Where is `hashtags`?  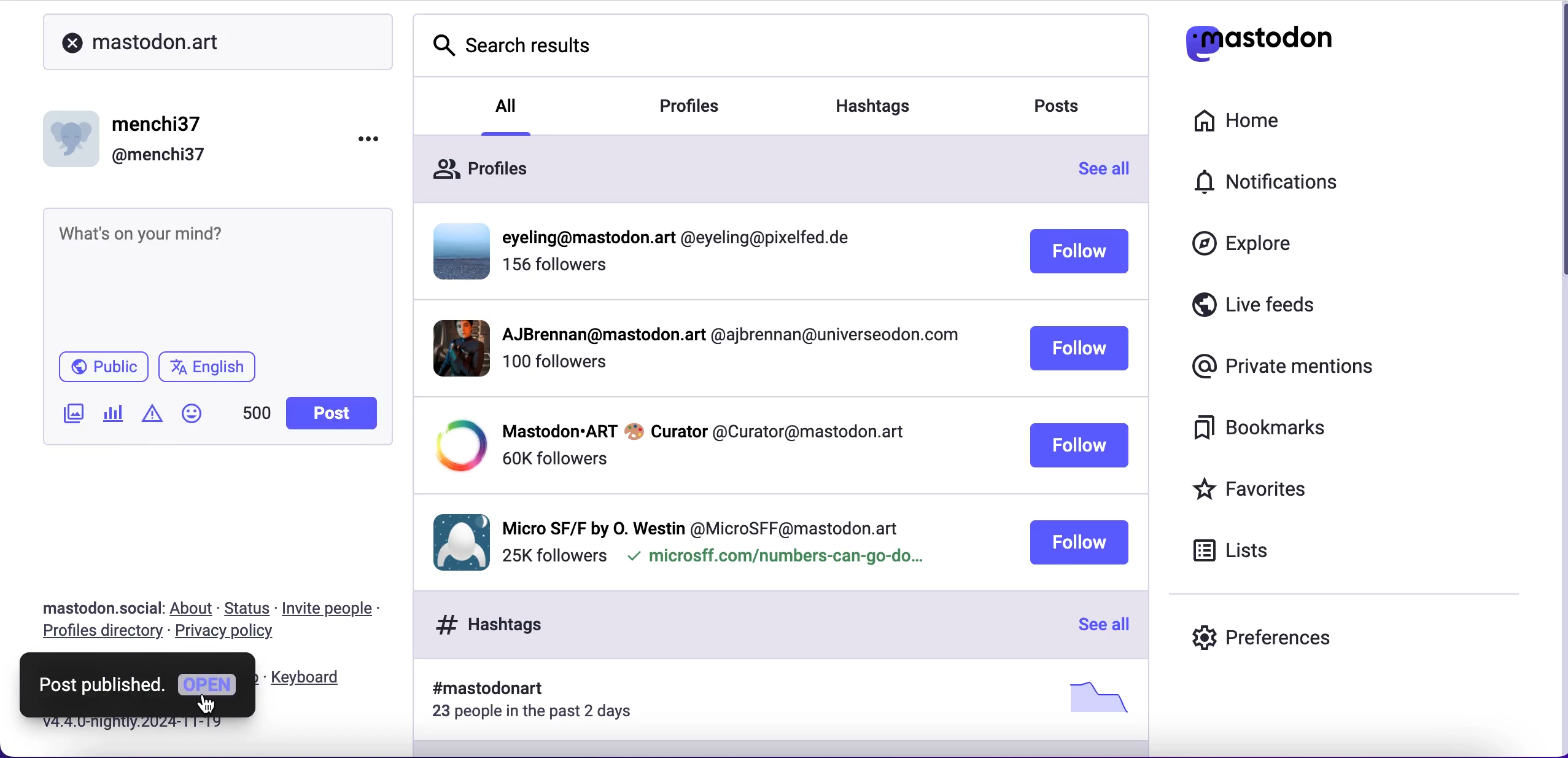
hashtags is located at coordinates (889, 101).